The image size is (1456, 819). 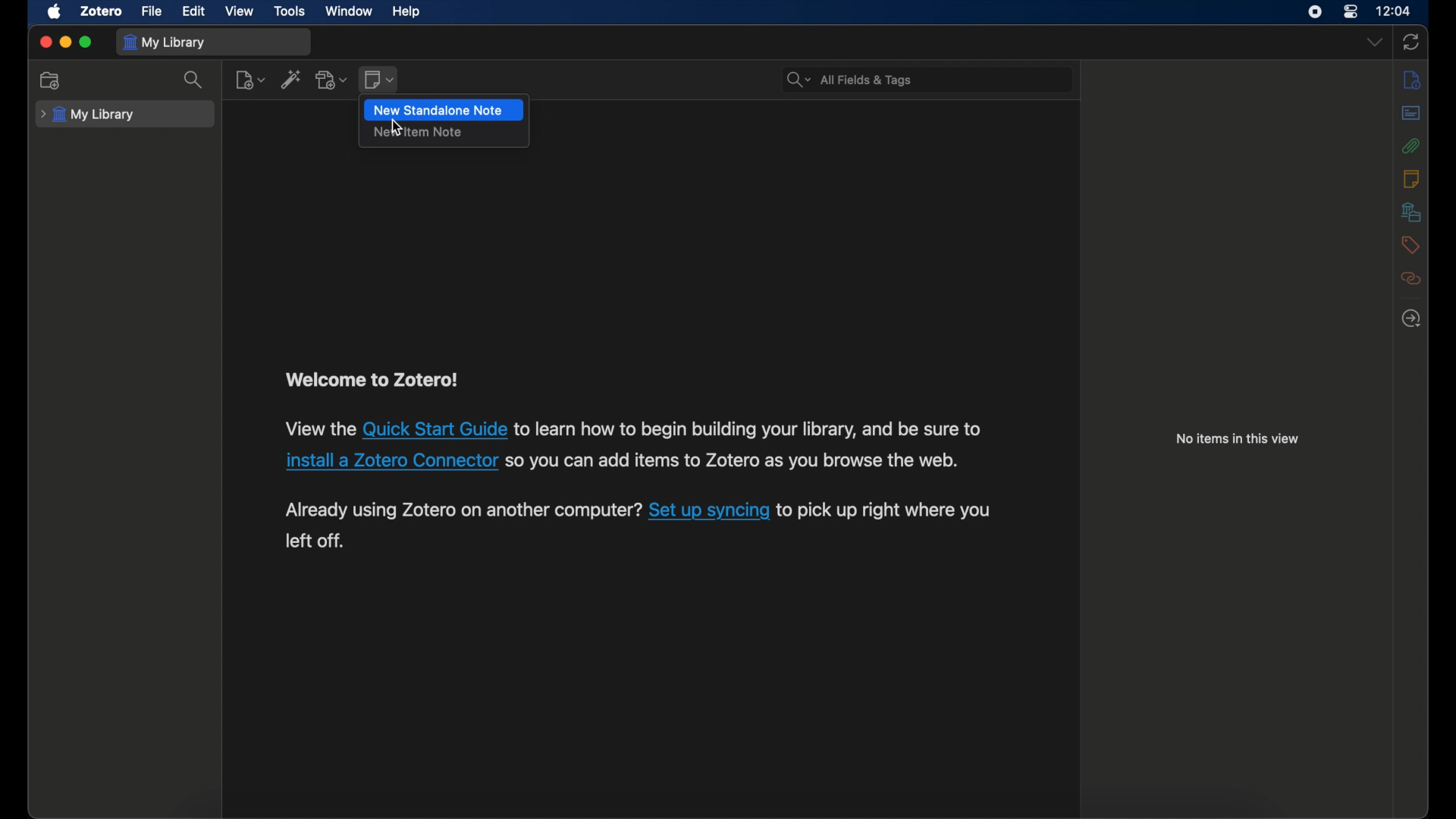 What do you see at coordinates (1412, 80) in the screenshot?
I see `info` at bounding box center [1412, 80].